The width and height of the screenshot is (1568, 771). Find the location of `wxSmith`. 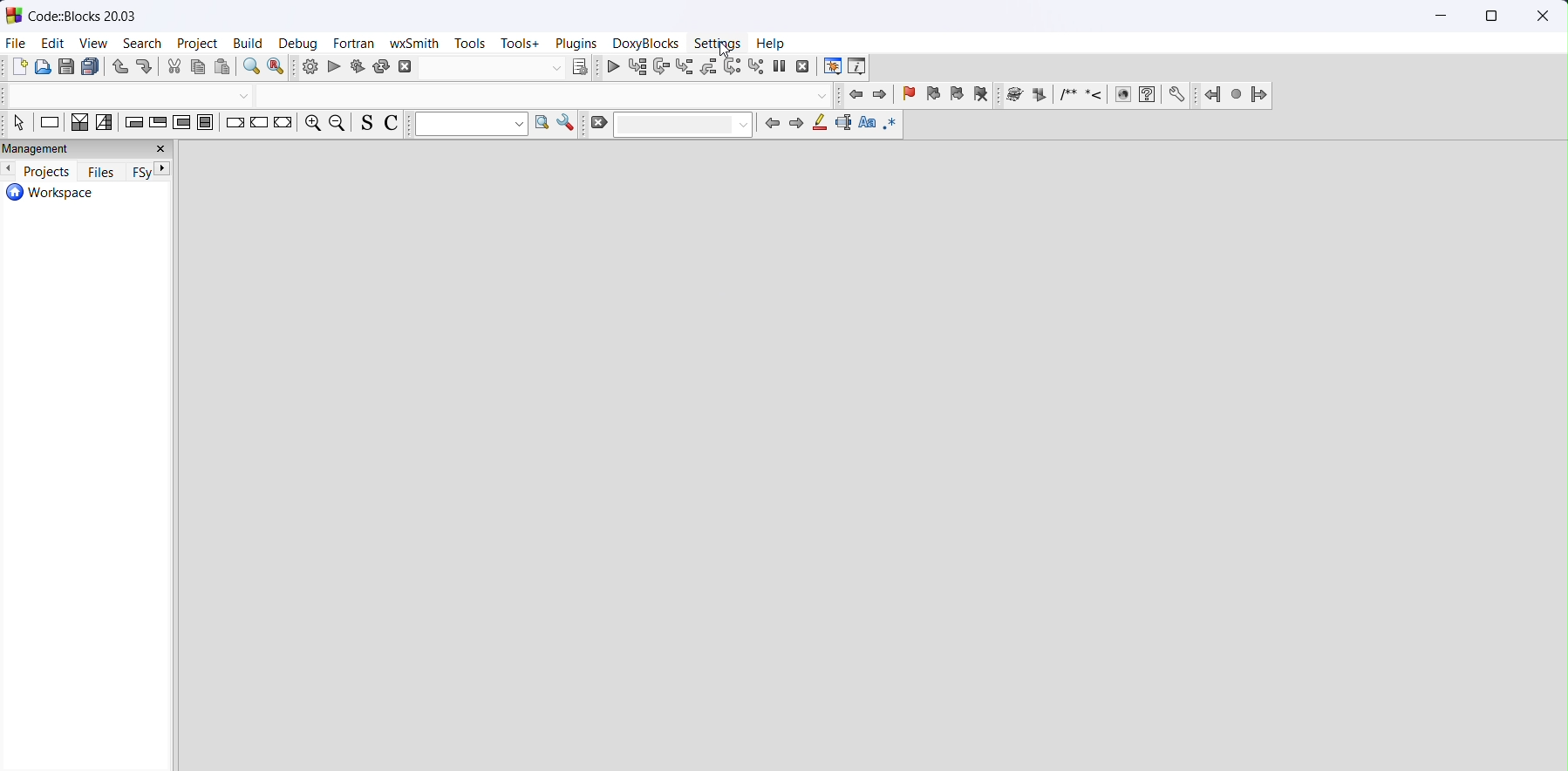

wxSmith is located at coordinates (414, 44).